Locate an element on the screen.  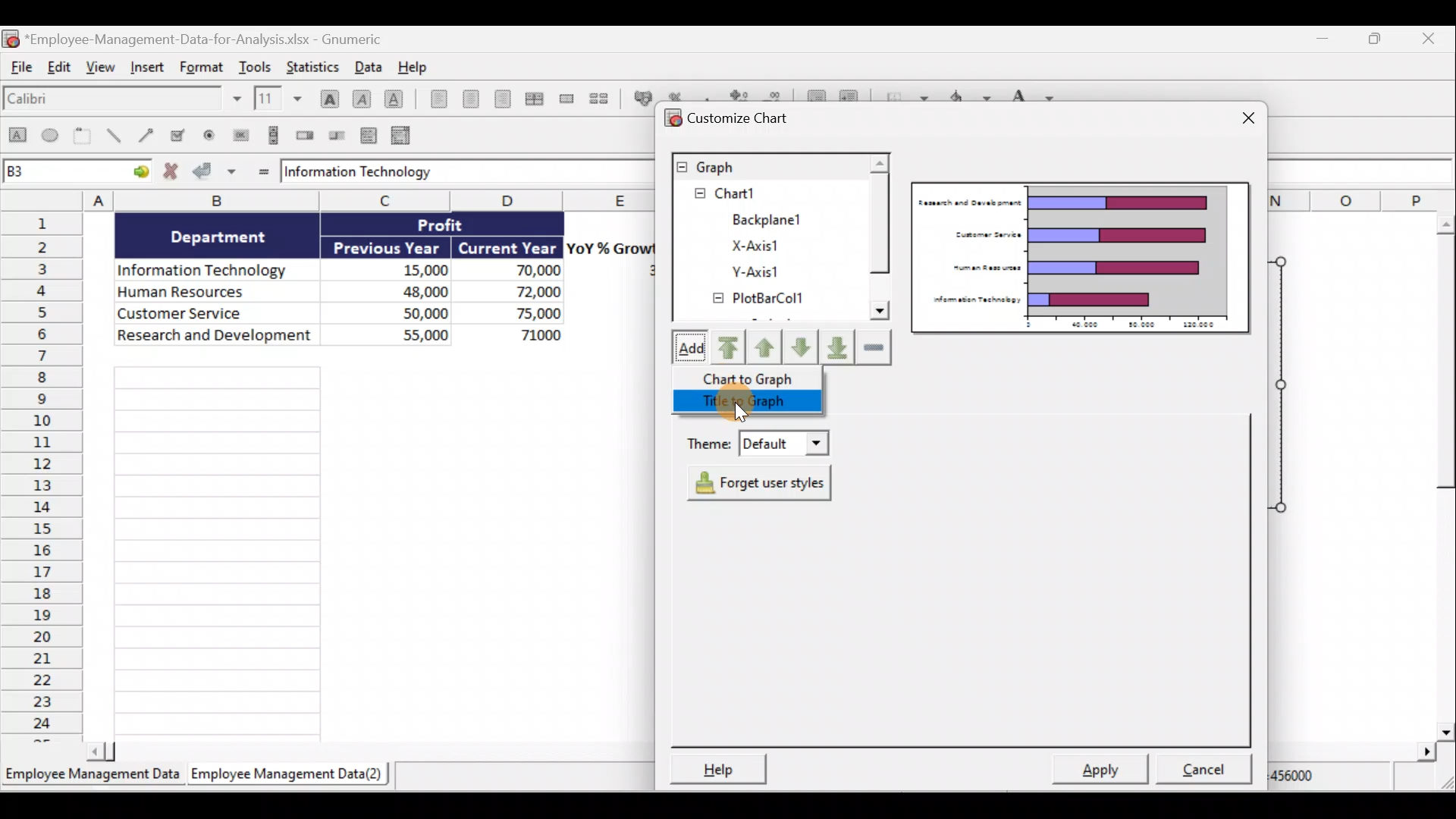
Close is located at coordinates (1244, 121).